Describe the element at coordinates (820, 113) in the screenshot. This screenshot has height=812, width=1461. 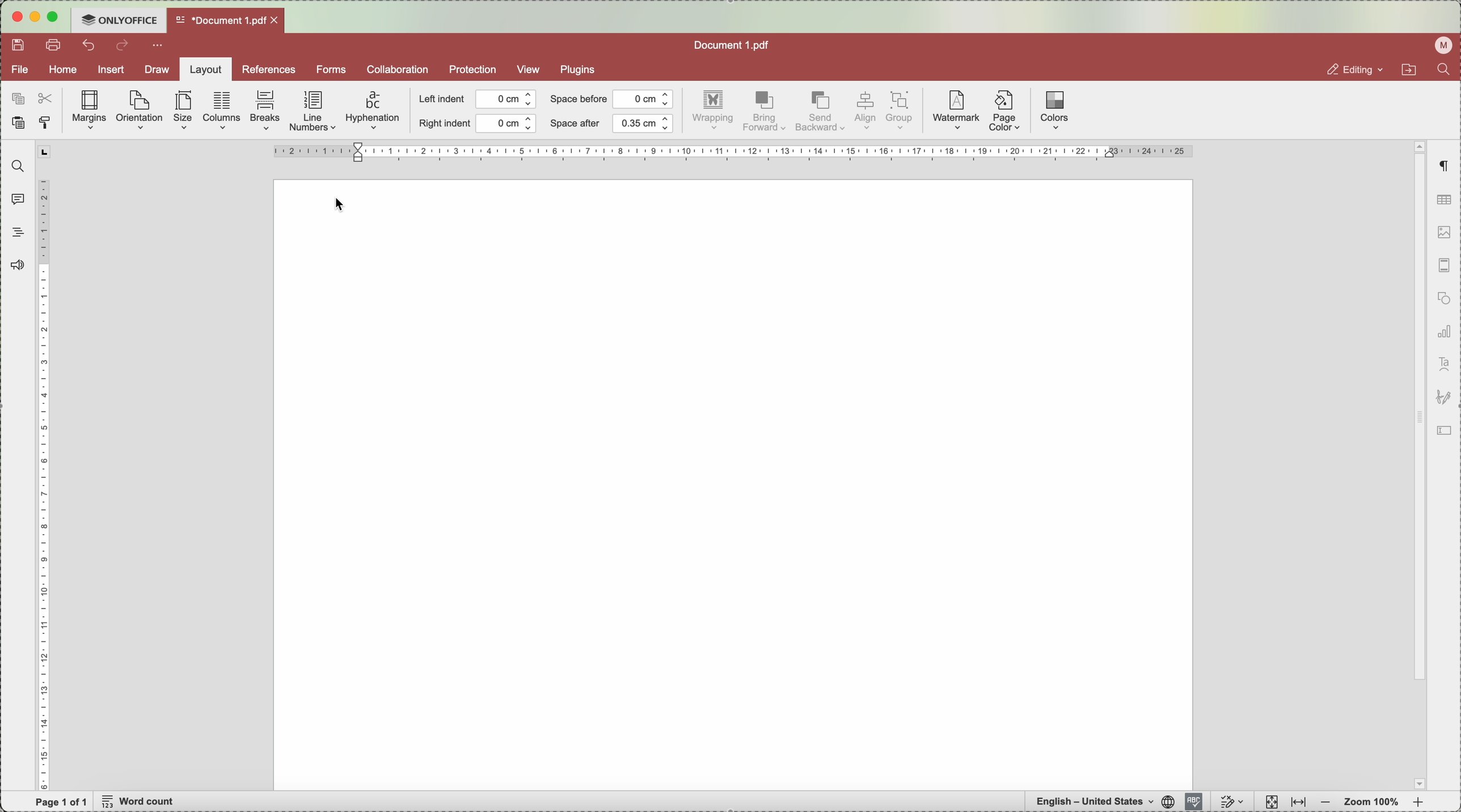
I see `send backward` at that location.